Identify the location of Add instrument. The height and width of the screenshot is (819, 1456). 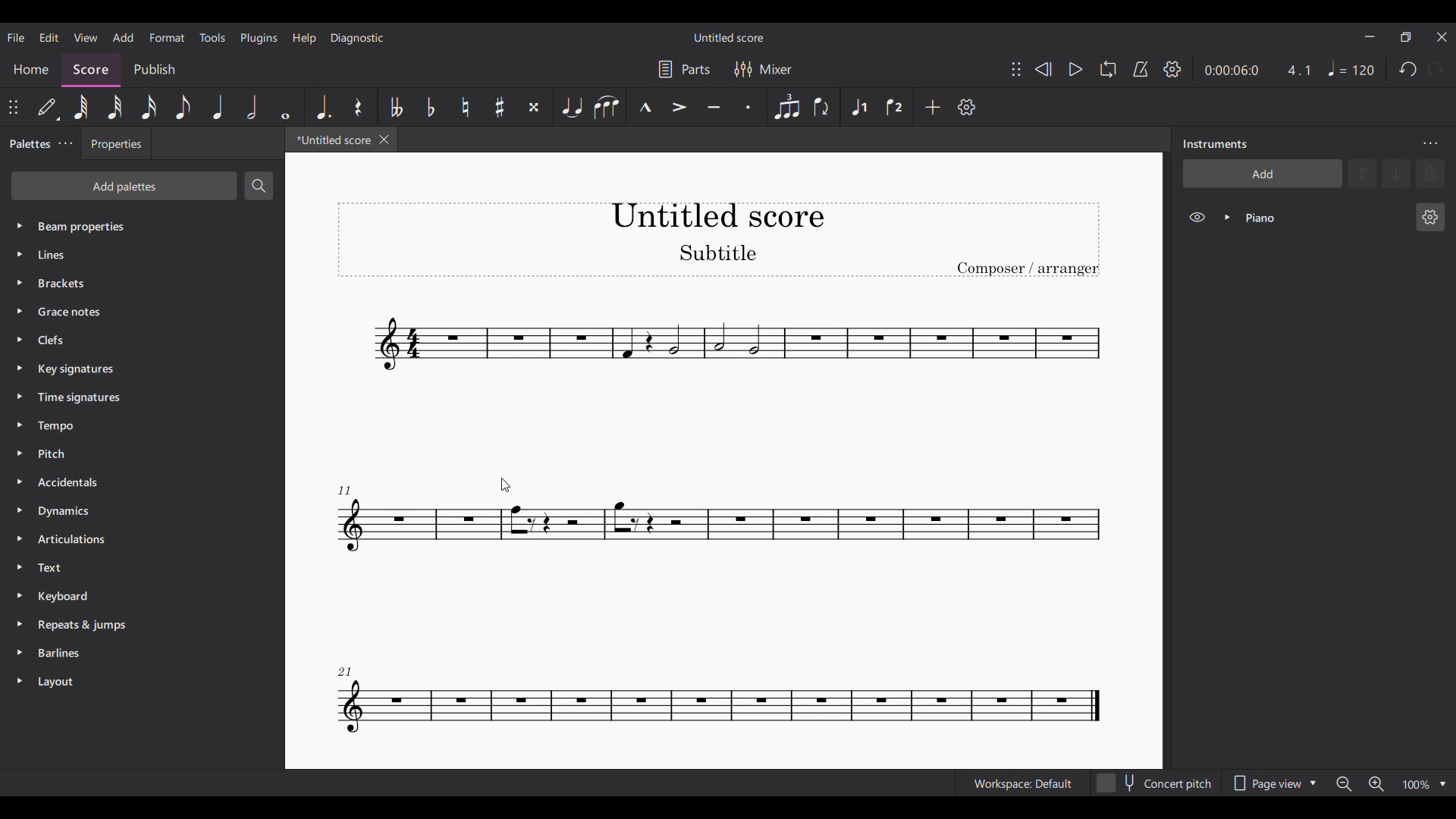
(1263, 173).